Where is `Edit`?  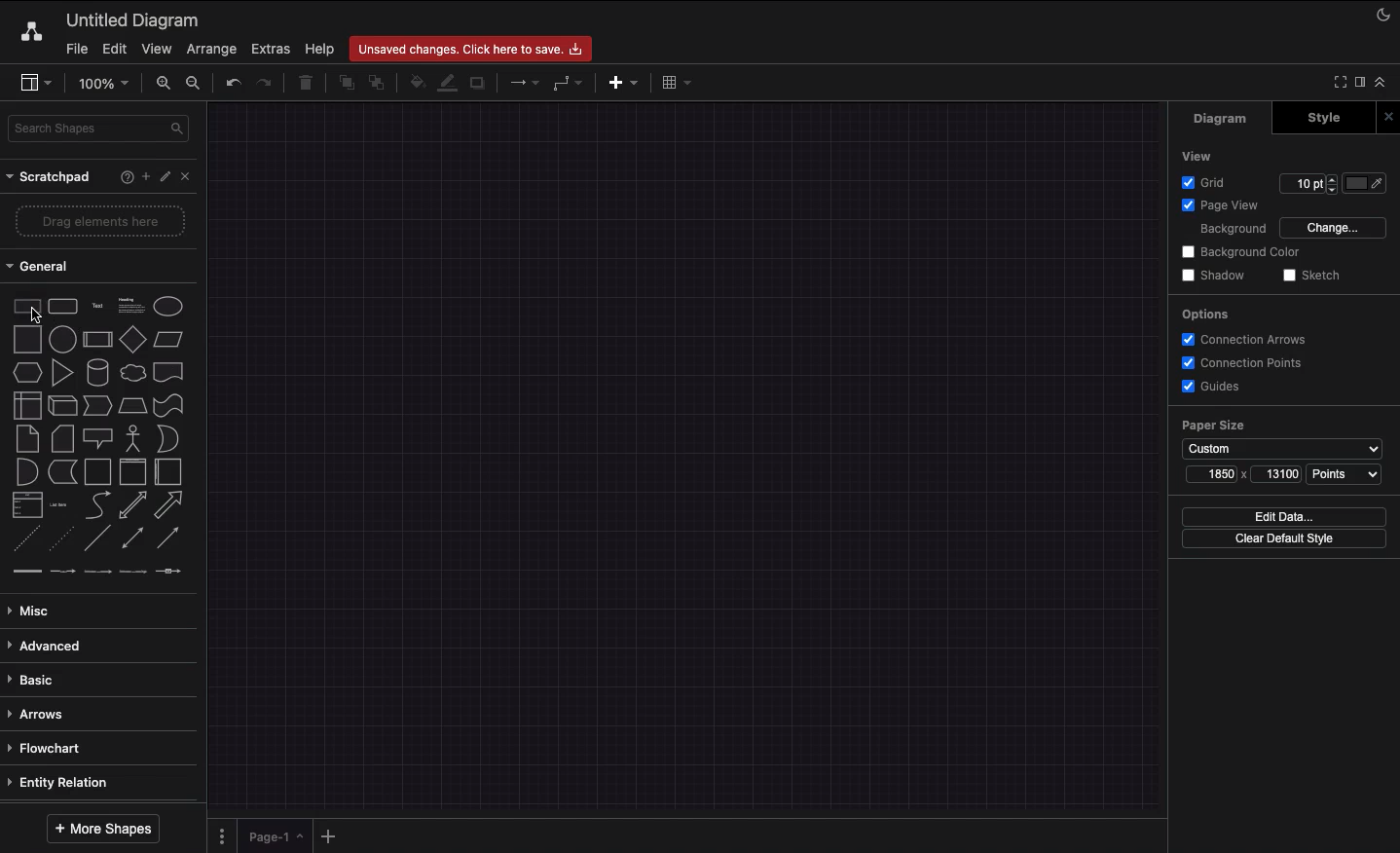 Edit is located at coordinates (163, 177).